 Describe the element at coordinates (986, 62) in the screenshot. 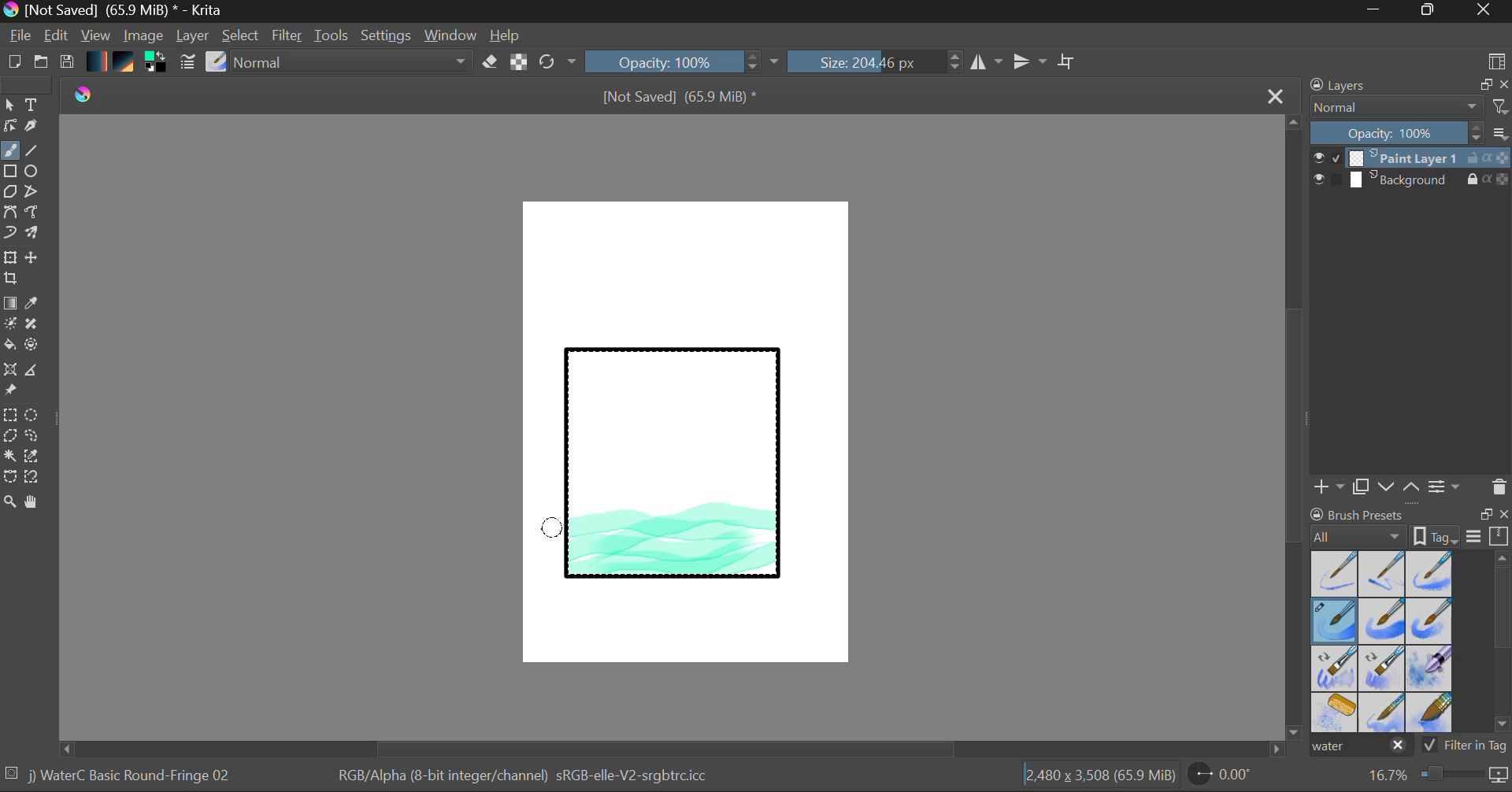

I see `Vertical Mirror Flip` at that location.